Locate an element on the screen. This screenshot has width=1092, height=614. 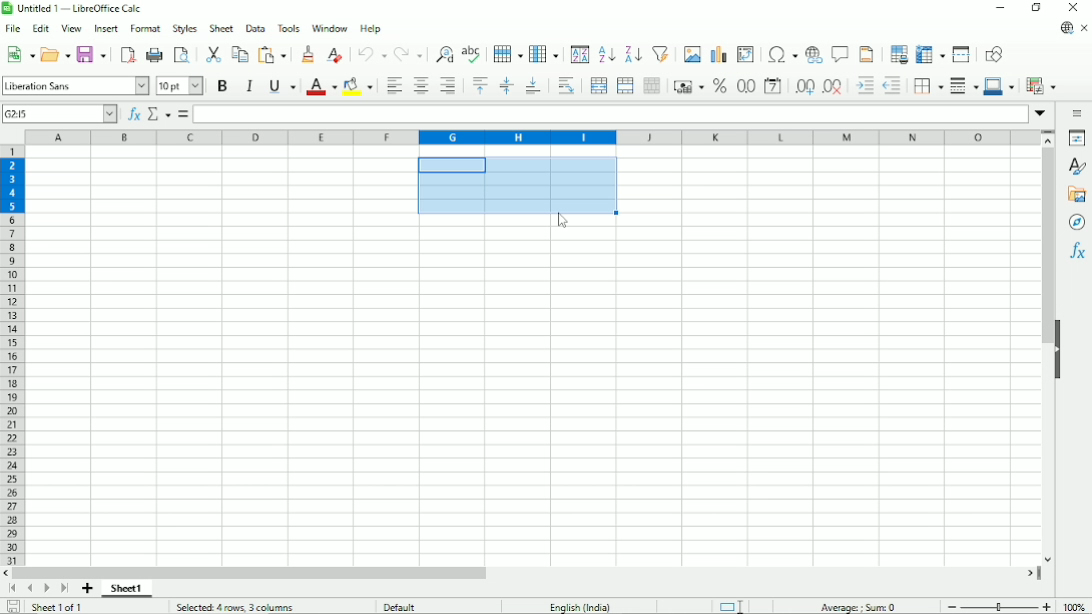
Print is located at coordinates (154, 55).